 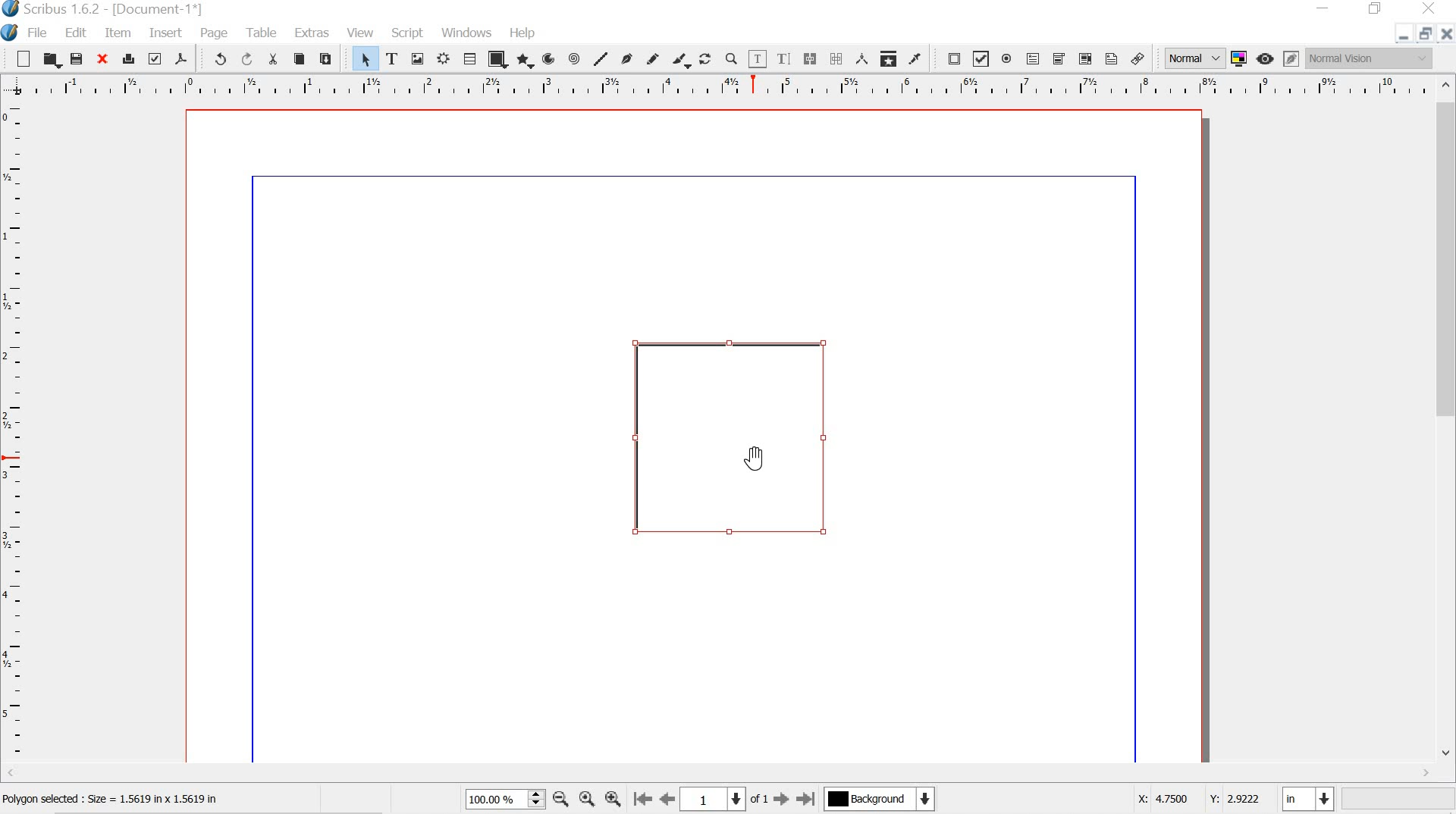 I want to click on pdf combo box, so click(x=1059, y=58).